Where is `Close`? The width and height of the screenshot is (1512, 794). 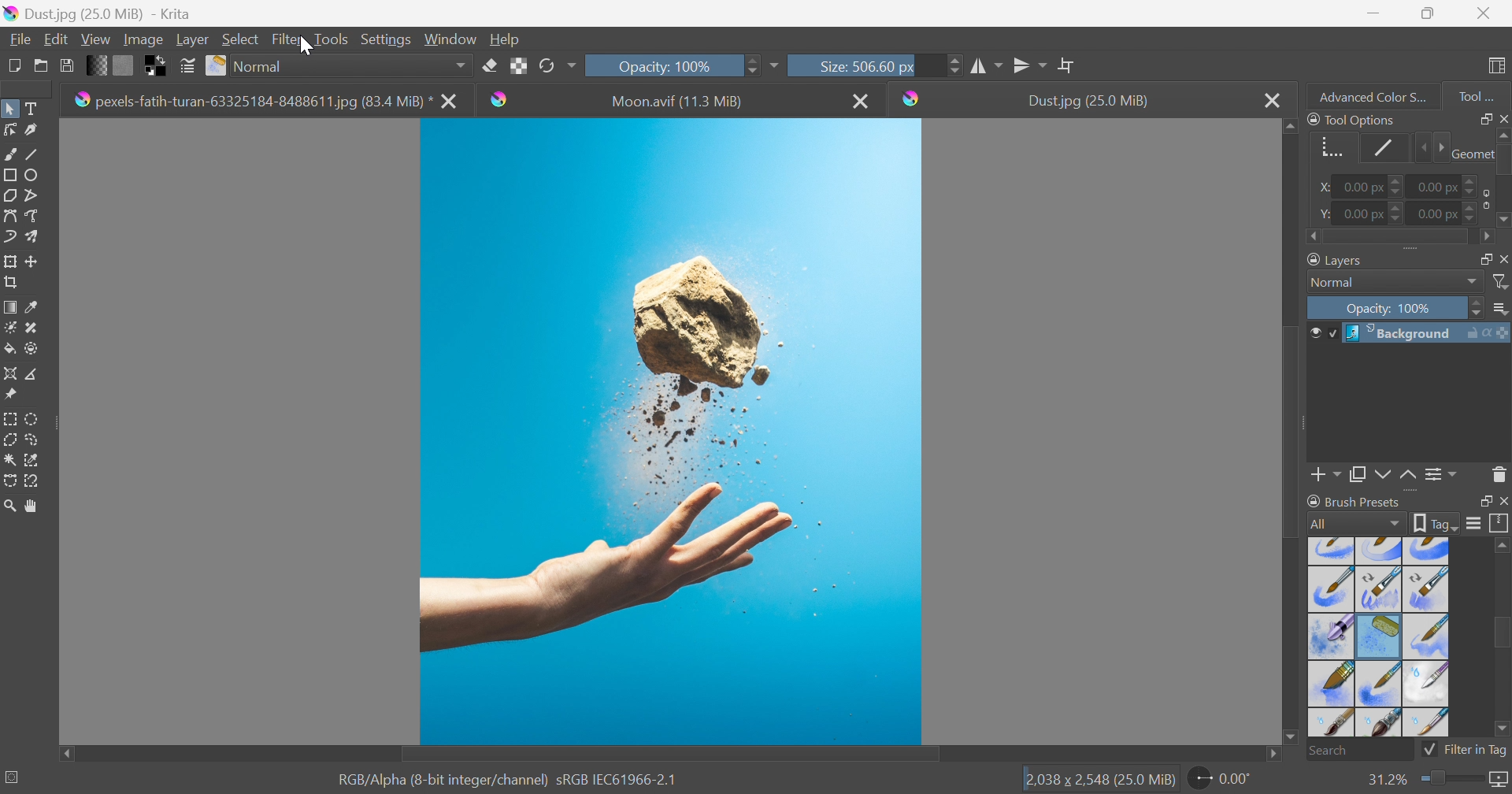 Close is located at coordinates (1484, 13).